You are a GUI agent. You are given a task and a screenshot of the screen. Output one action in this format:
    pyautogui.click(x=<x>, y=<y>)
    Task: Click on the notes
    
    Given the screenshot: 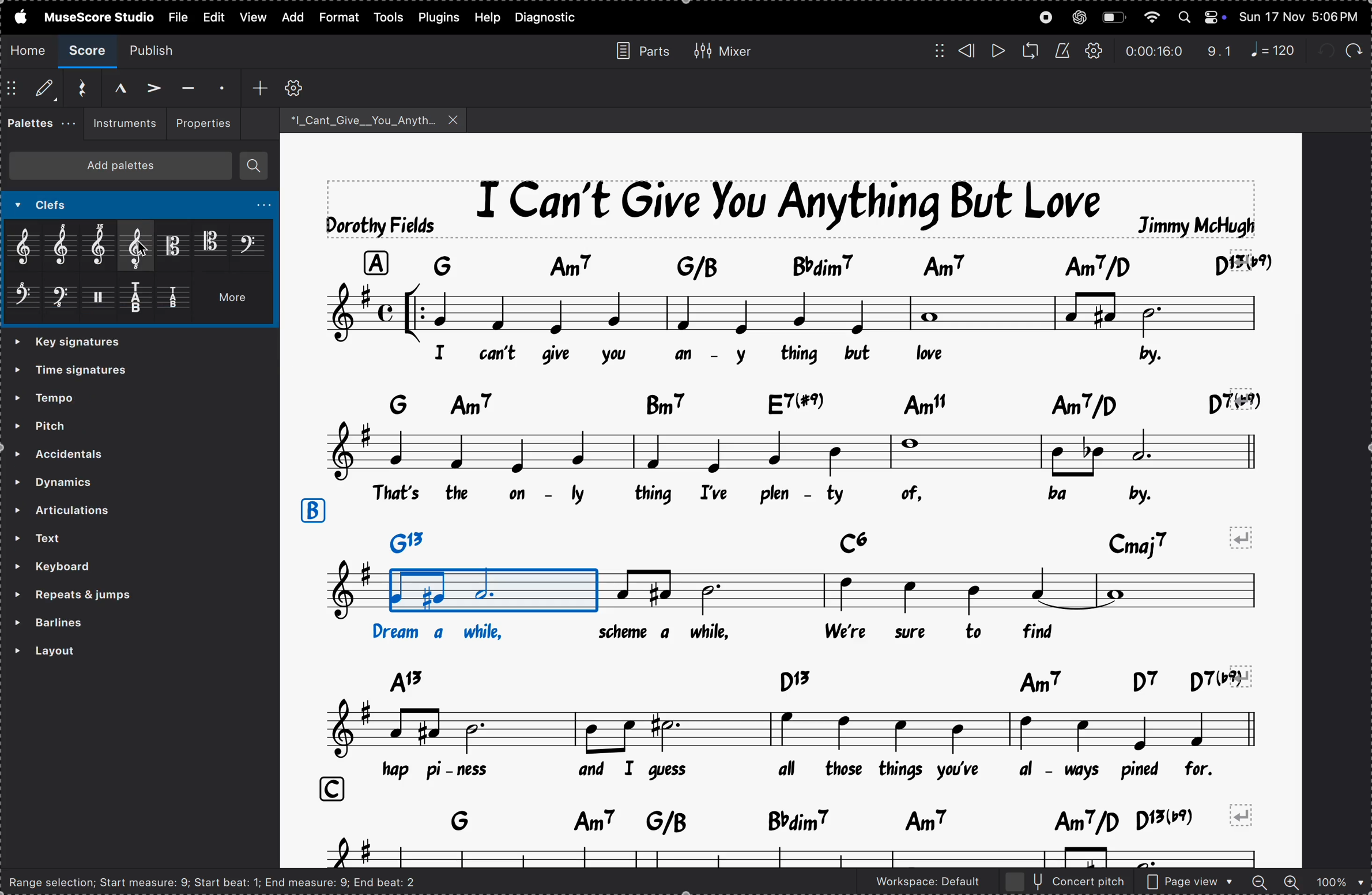 What is the action you would take?
    pyautogui.click(x=794, y=450)
    